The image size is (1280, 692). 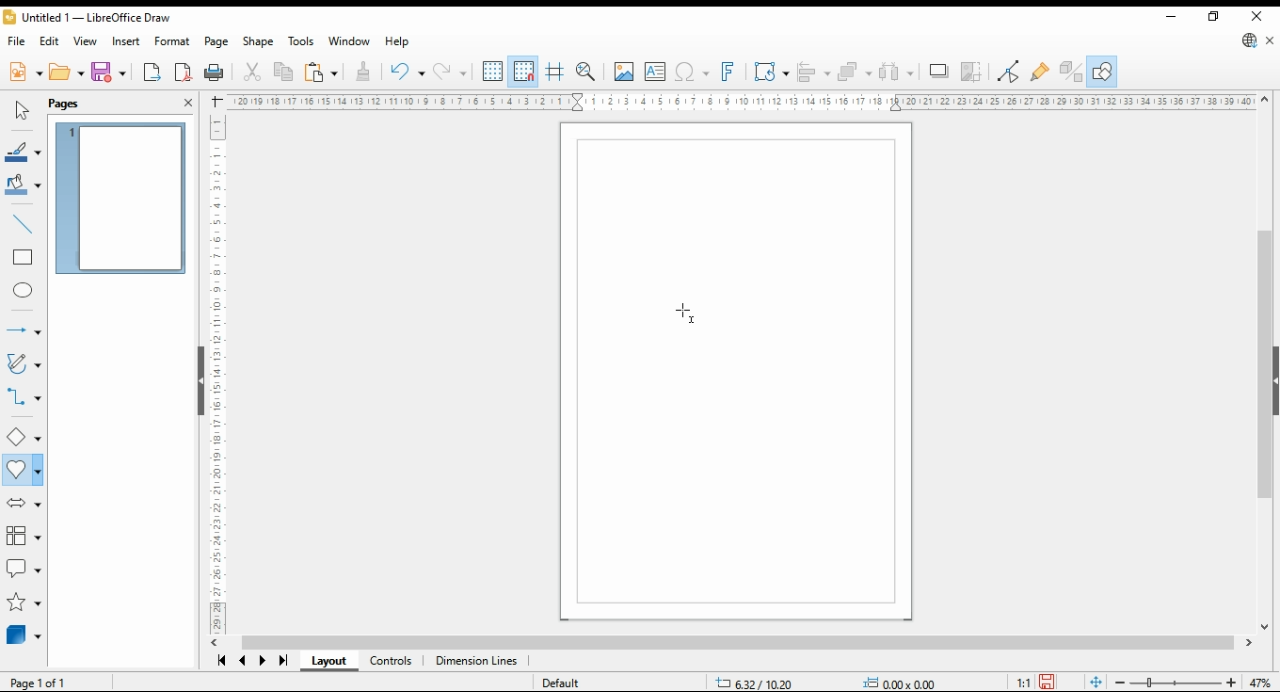 What do you see at coordinates (184, 72) in the screenshot?
I see `export as pdf` at bounding box center [184, 72].